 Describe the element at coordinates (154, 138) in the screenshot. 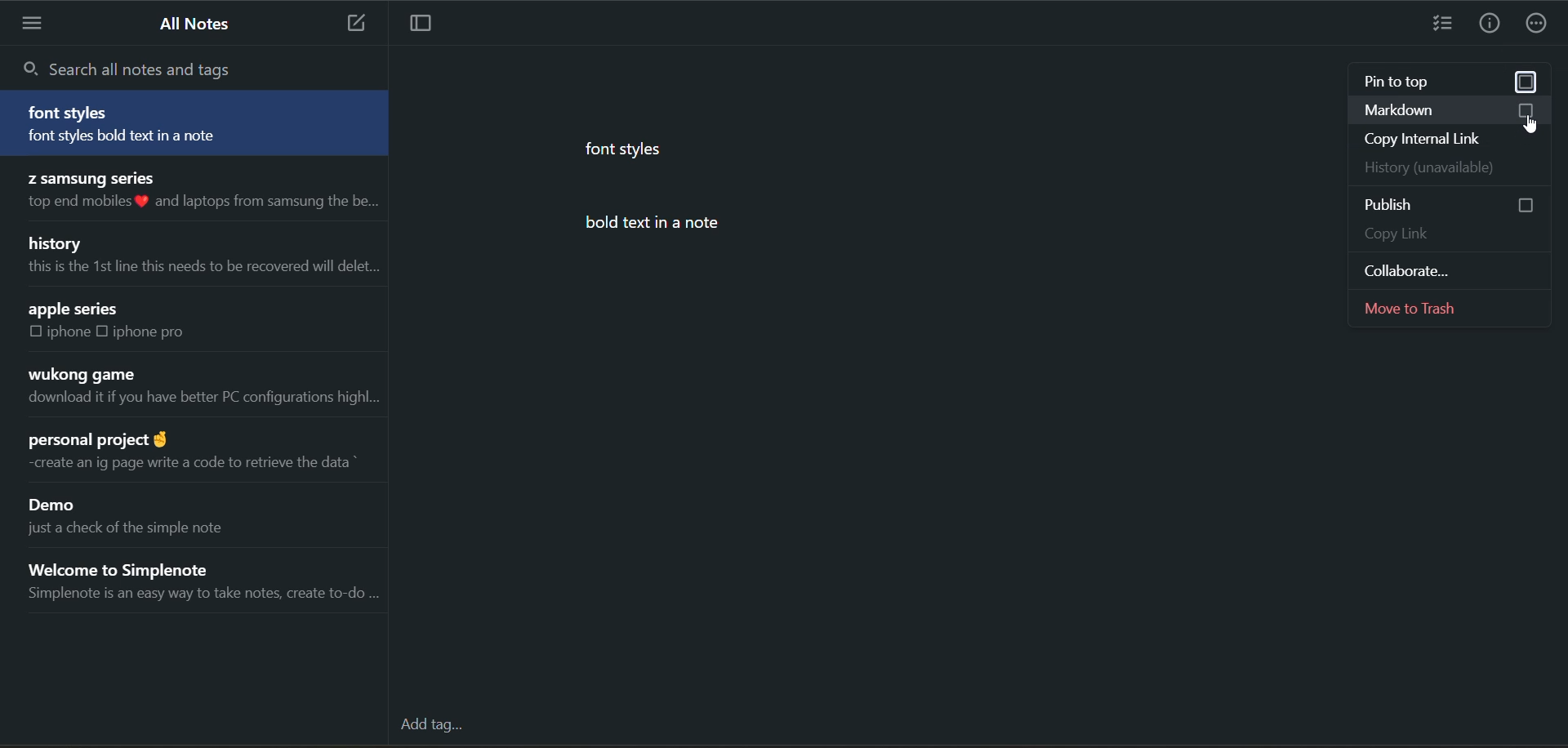

I see `font styles bold text in a note` at that location.